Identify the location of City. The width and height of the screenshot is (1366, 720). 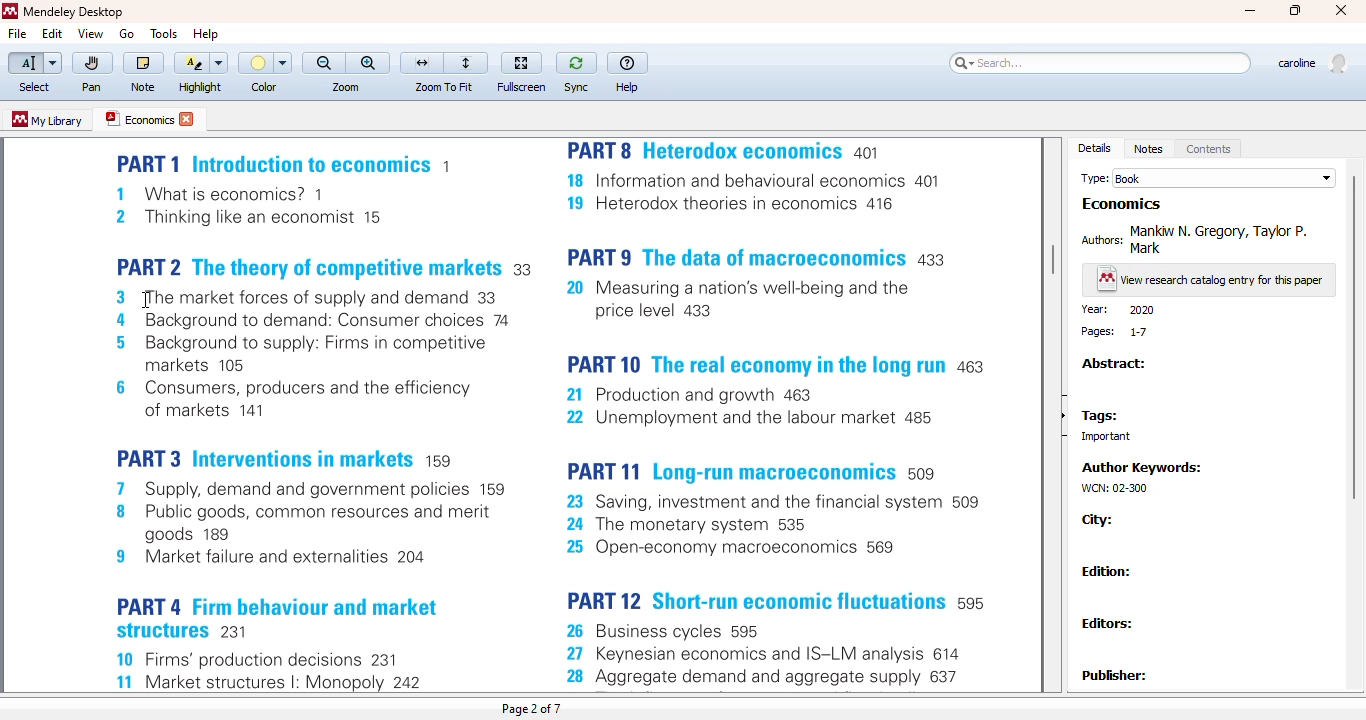
(1099, 519).